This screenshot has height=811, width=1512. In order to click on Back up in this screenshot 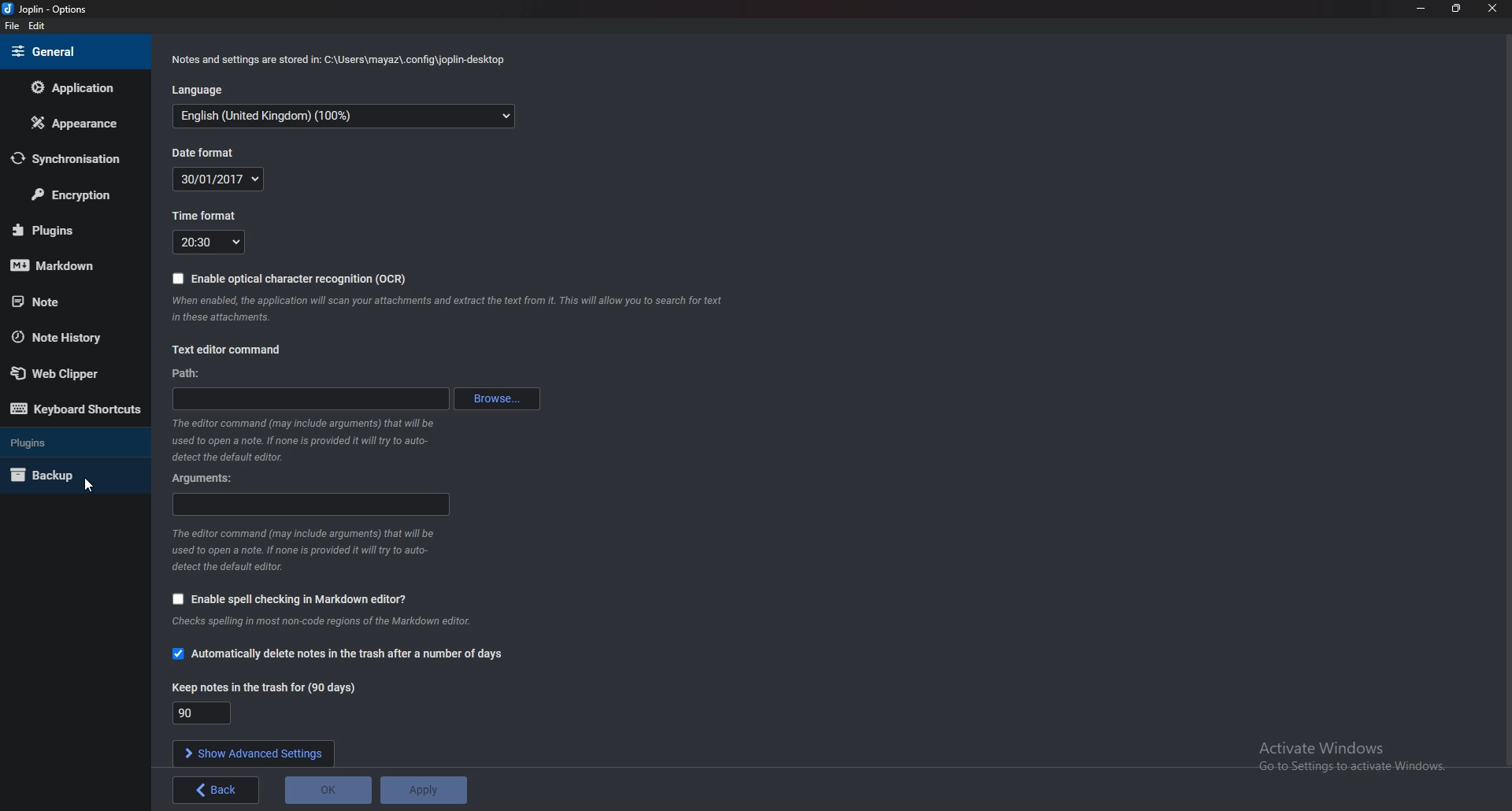, I will do `click(70, 475)`.